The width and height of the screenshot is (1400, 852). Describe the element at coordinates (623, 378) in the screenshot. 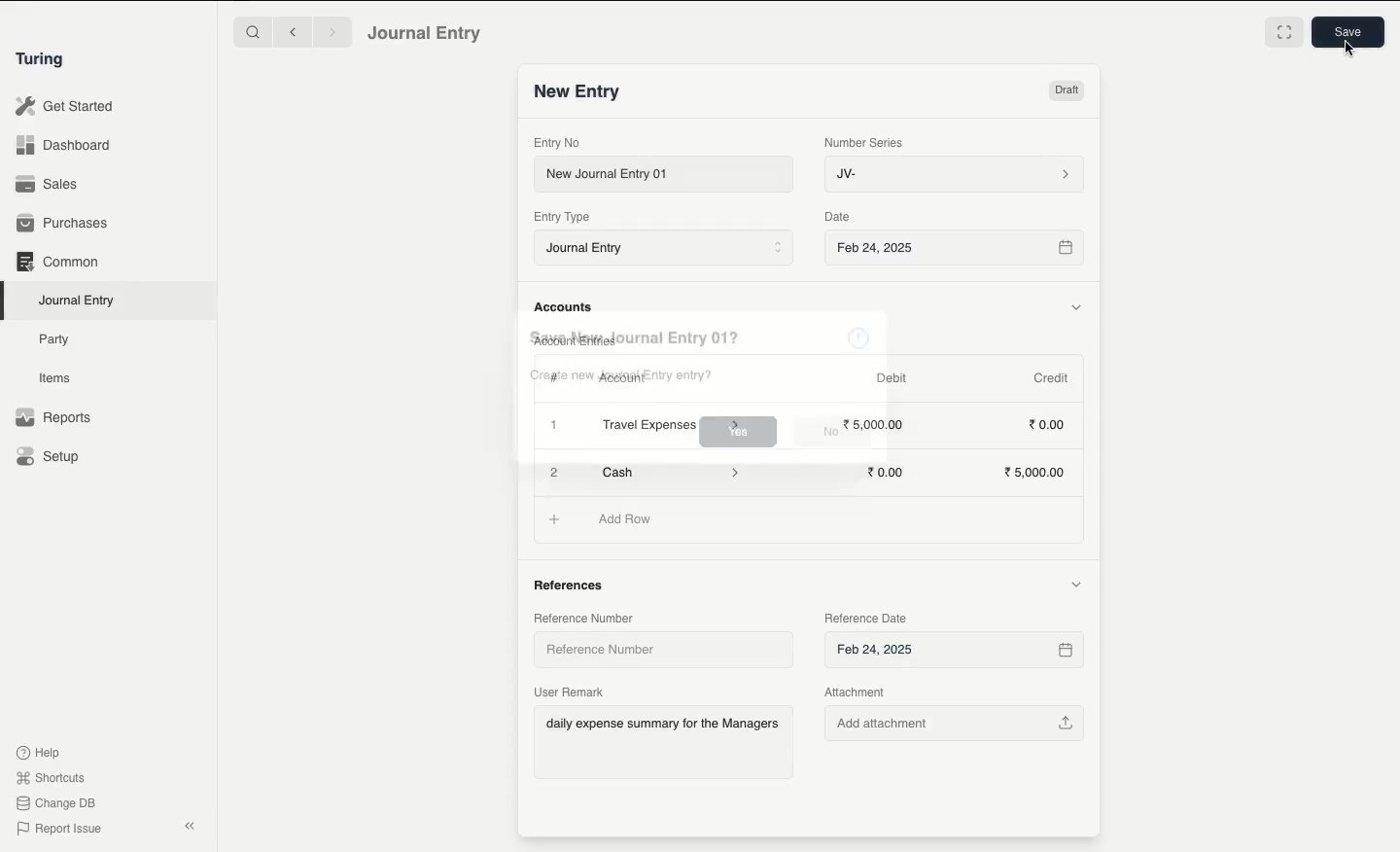

I see `Account` at that location.